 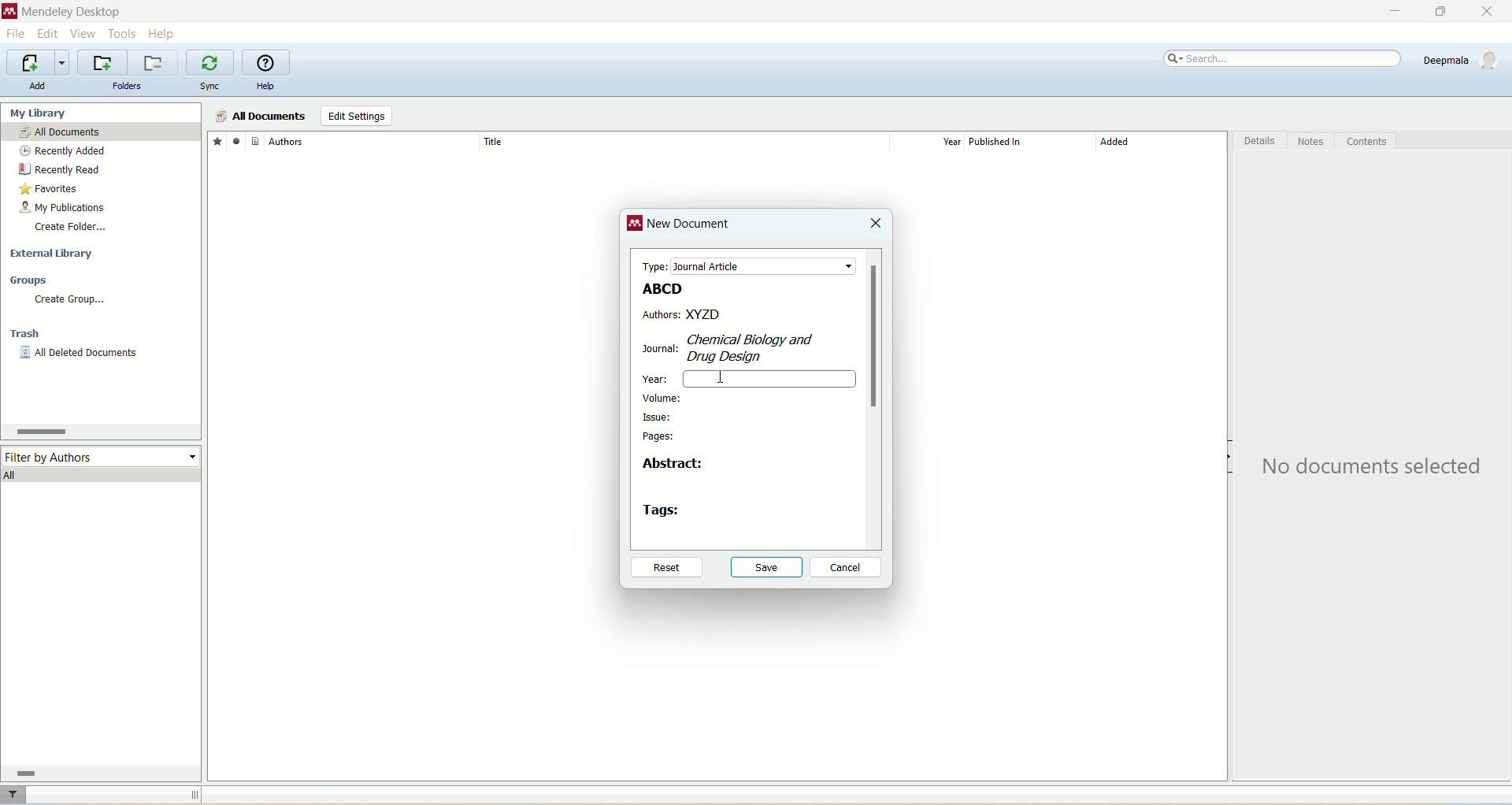 What do you see at coordinates (875, 224) in the screenshot?
I see `close` at bounding box center [875, 224].